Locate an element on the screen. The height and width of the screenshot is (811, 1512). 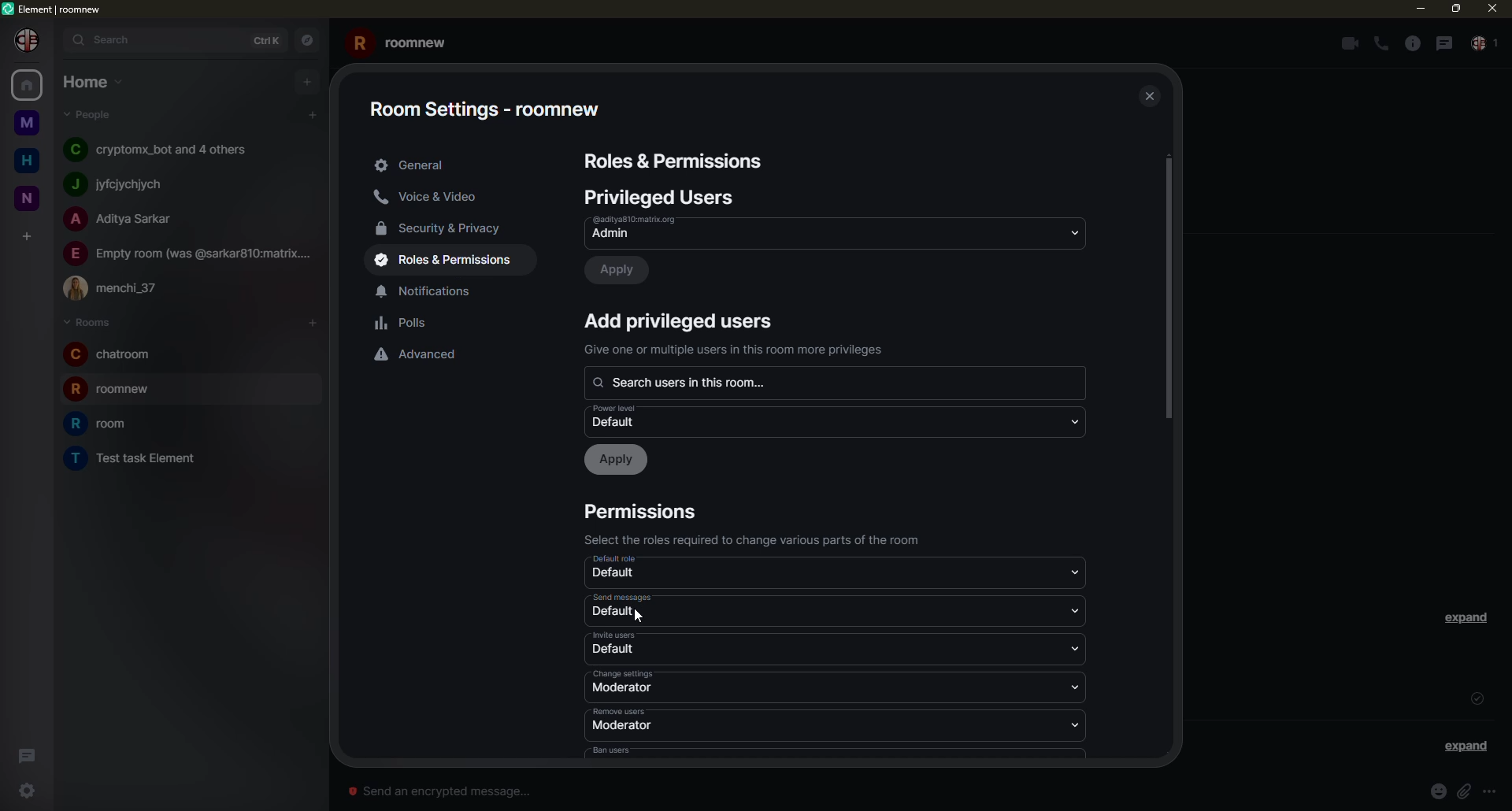
emoji is located at coordinates (1438, 791).